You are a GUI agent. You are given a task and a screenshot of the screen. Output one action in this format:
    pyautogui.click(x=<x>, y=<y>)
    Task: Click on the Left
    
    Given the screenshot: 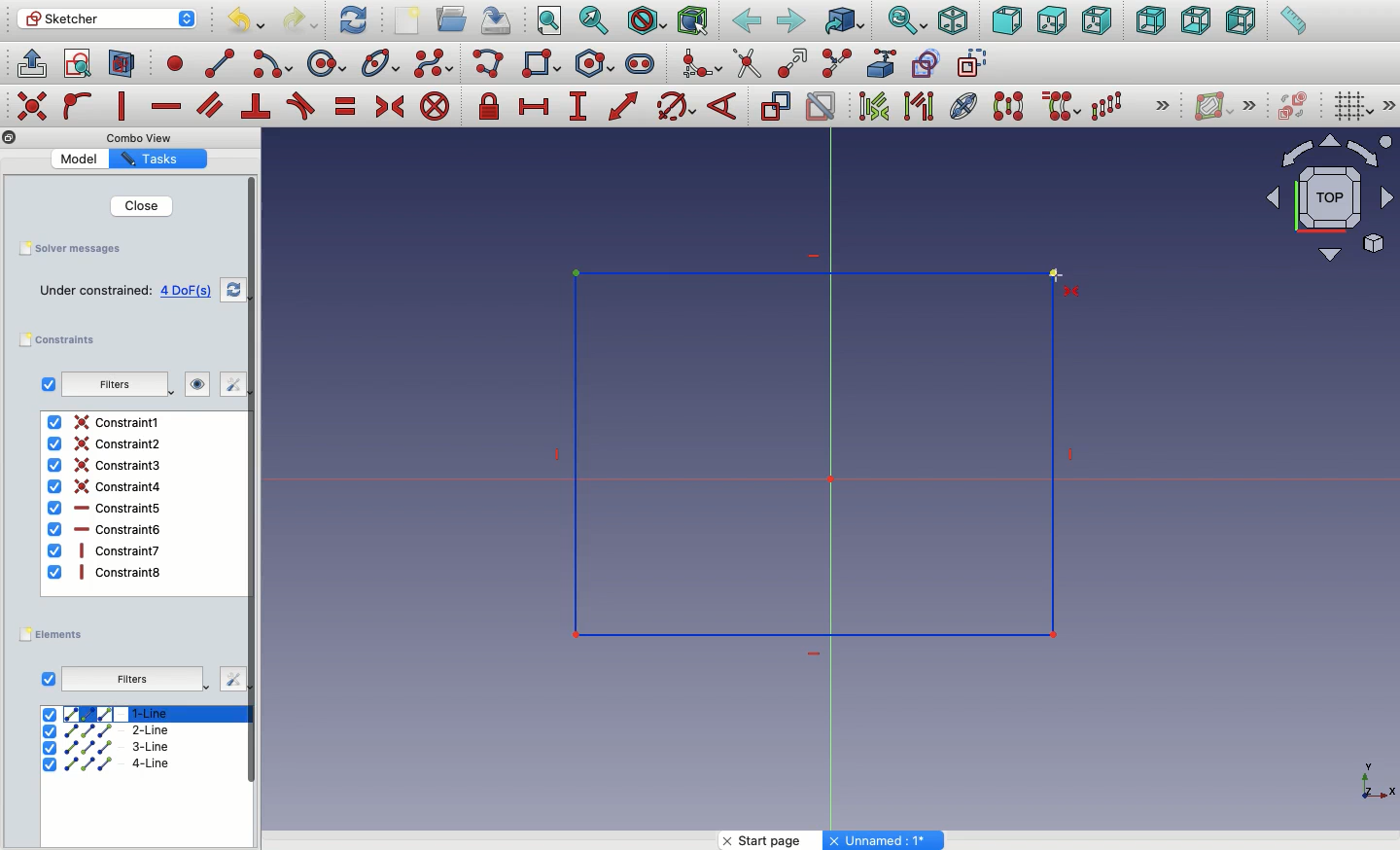 What is the action you would take?
    pyautogui.click(x=1240, y=21)
    